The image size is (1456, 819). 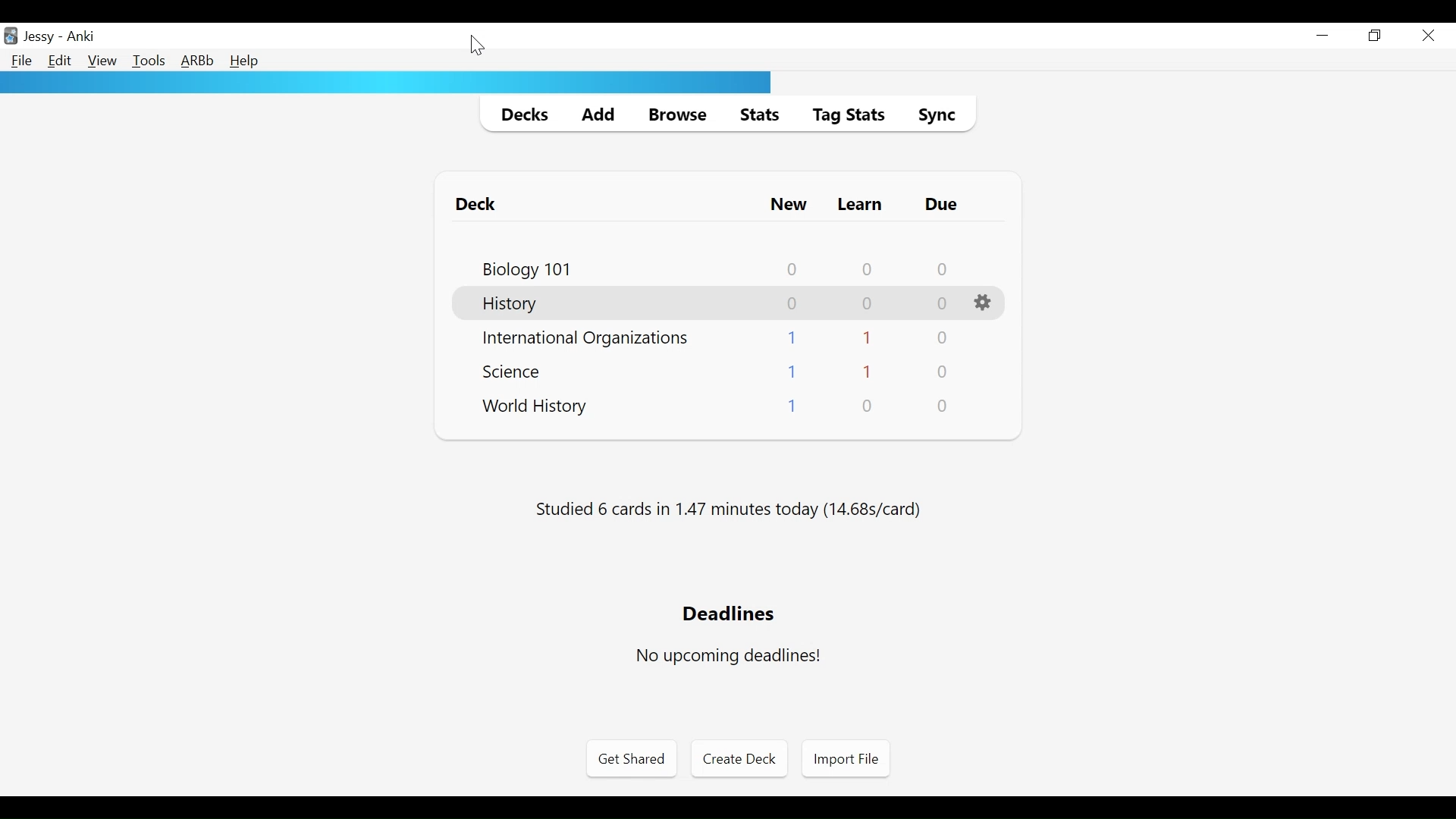 I want to click on Browse, so click(x=674, y=114).